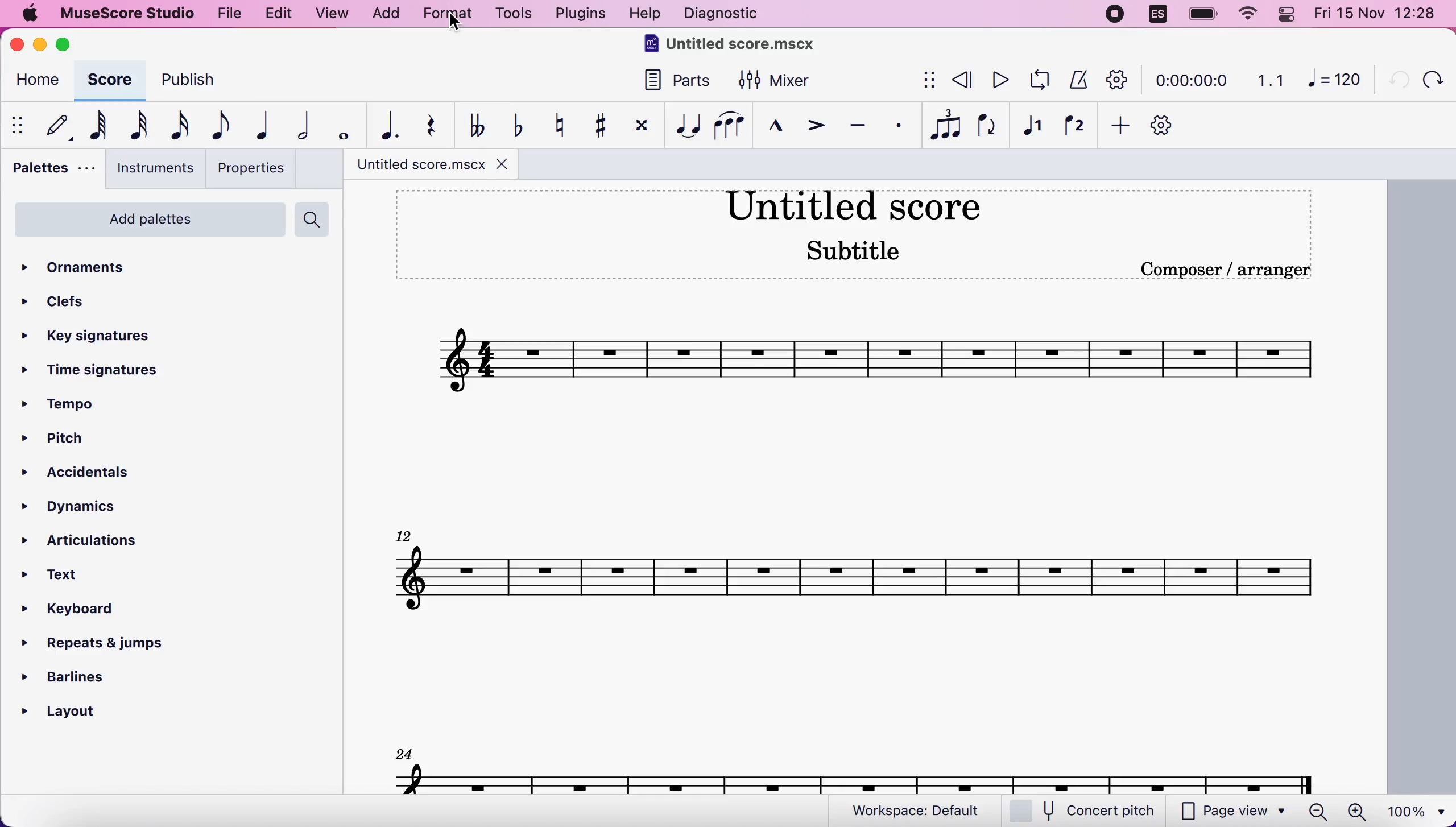 The height and width of the screenshot is (827, 1456). Describe the element at coordinates (85, 507) in the screenshot. I see `dynamics` at that location.